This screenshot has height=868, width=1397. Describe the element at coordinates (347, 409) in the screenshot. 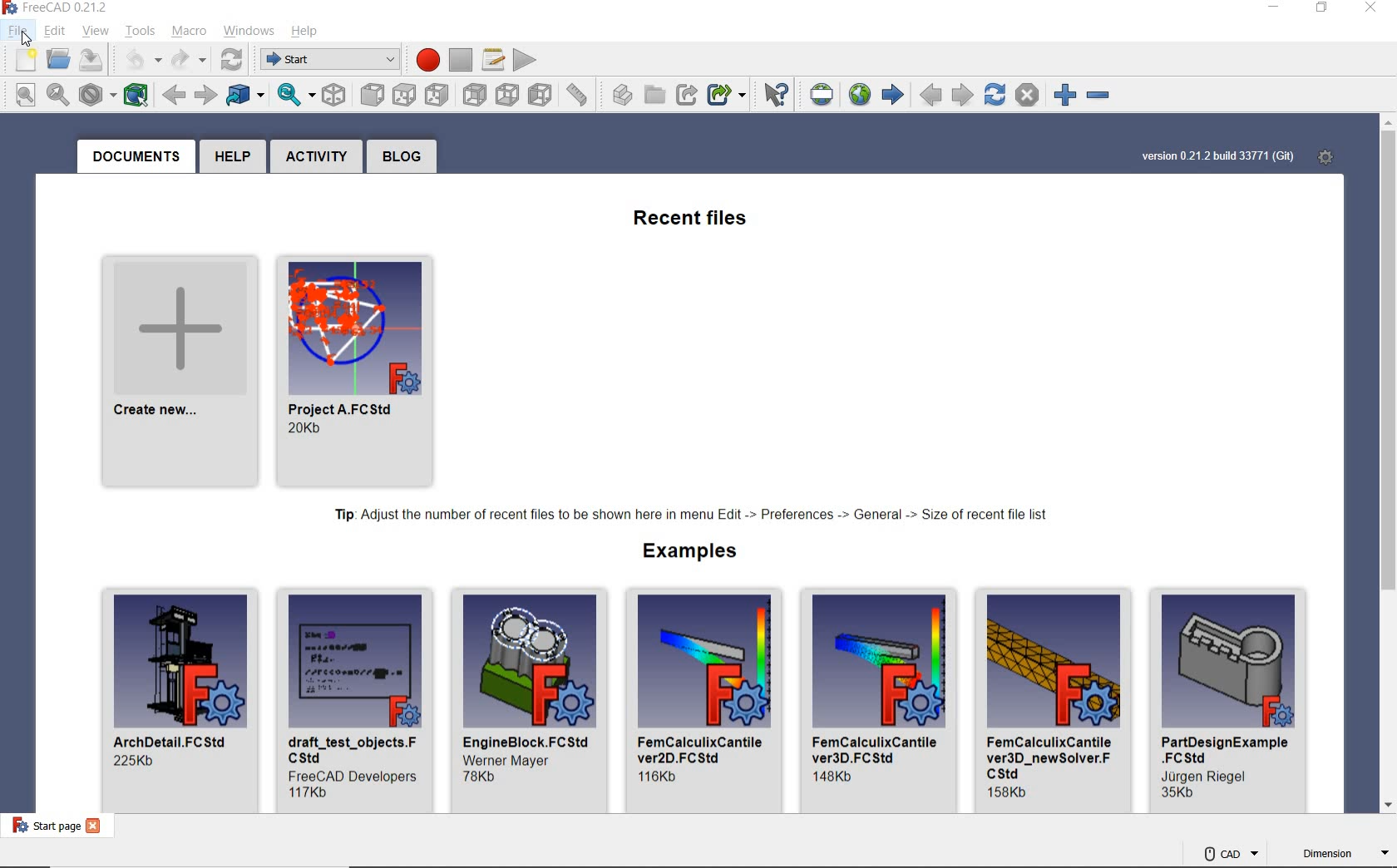

I see `name` at that location.